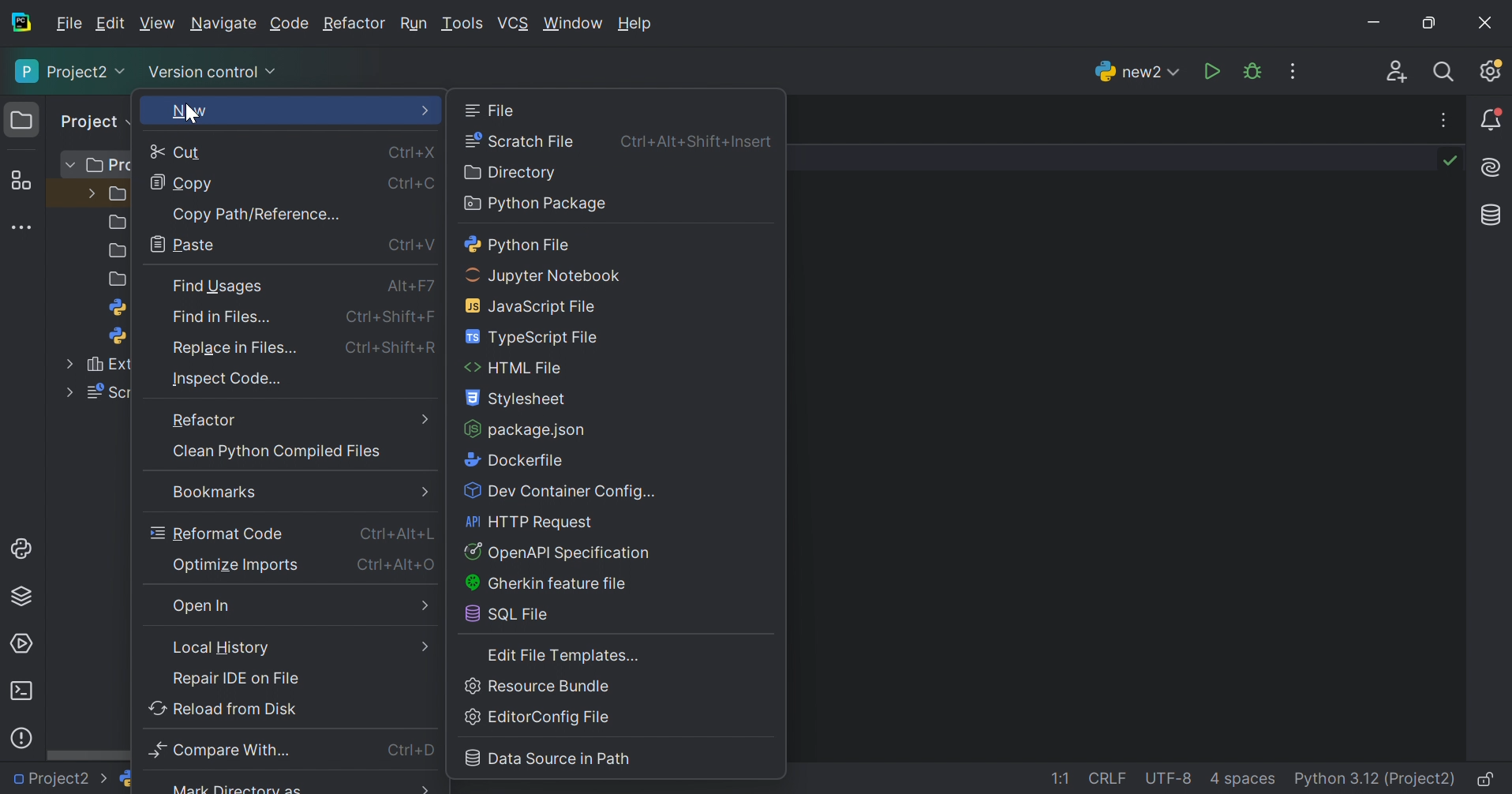  I want to click on Clean Python Compiled Files, so click(275, 452).